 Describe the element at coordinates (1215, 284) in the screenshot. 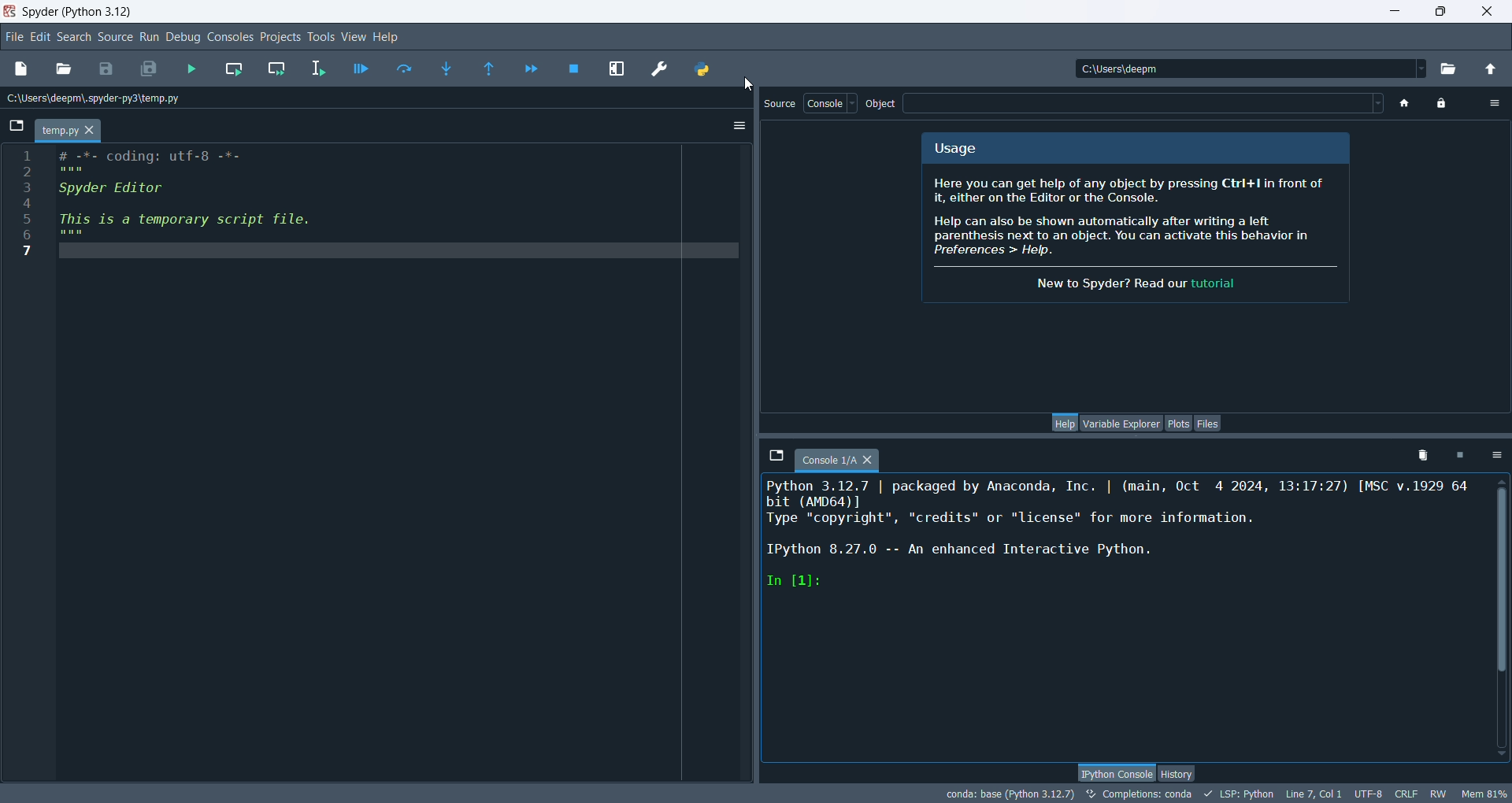

I see `tutorial link` at that location.